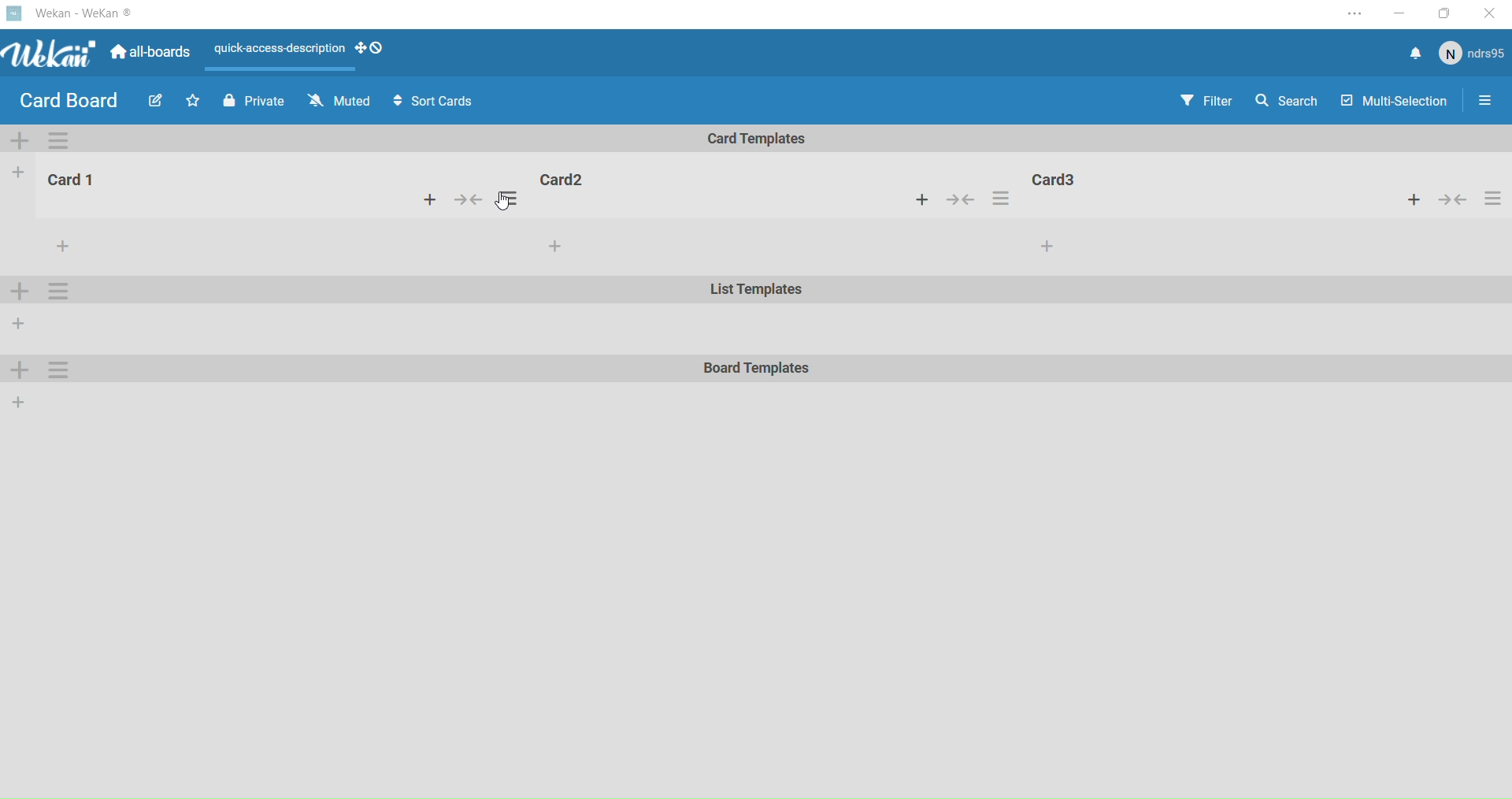 This screenshot has width=1512, height=799. Describe the element at coordinates (926, 199) in the screenshot. I see `add` at that location.